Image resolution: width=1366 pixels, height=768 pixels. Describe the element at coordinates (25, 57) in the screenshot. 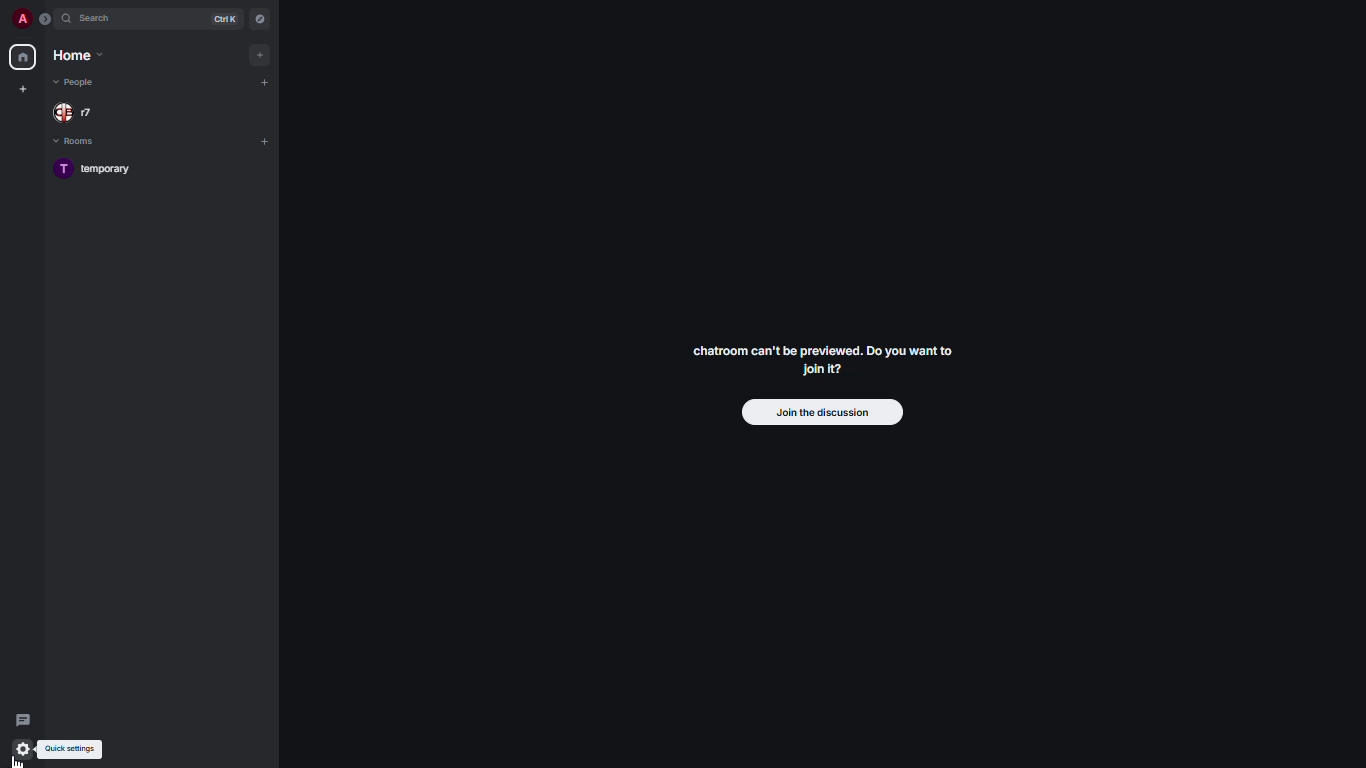

I see `home` at that location.